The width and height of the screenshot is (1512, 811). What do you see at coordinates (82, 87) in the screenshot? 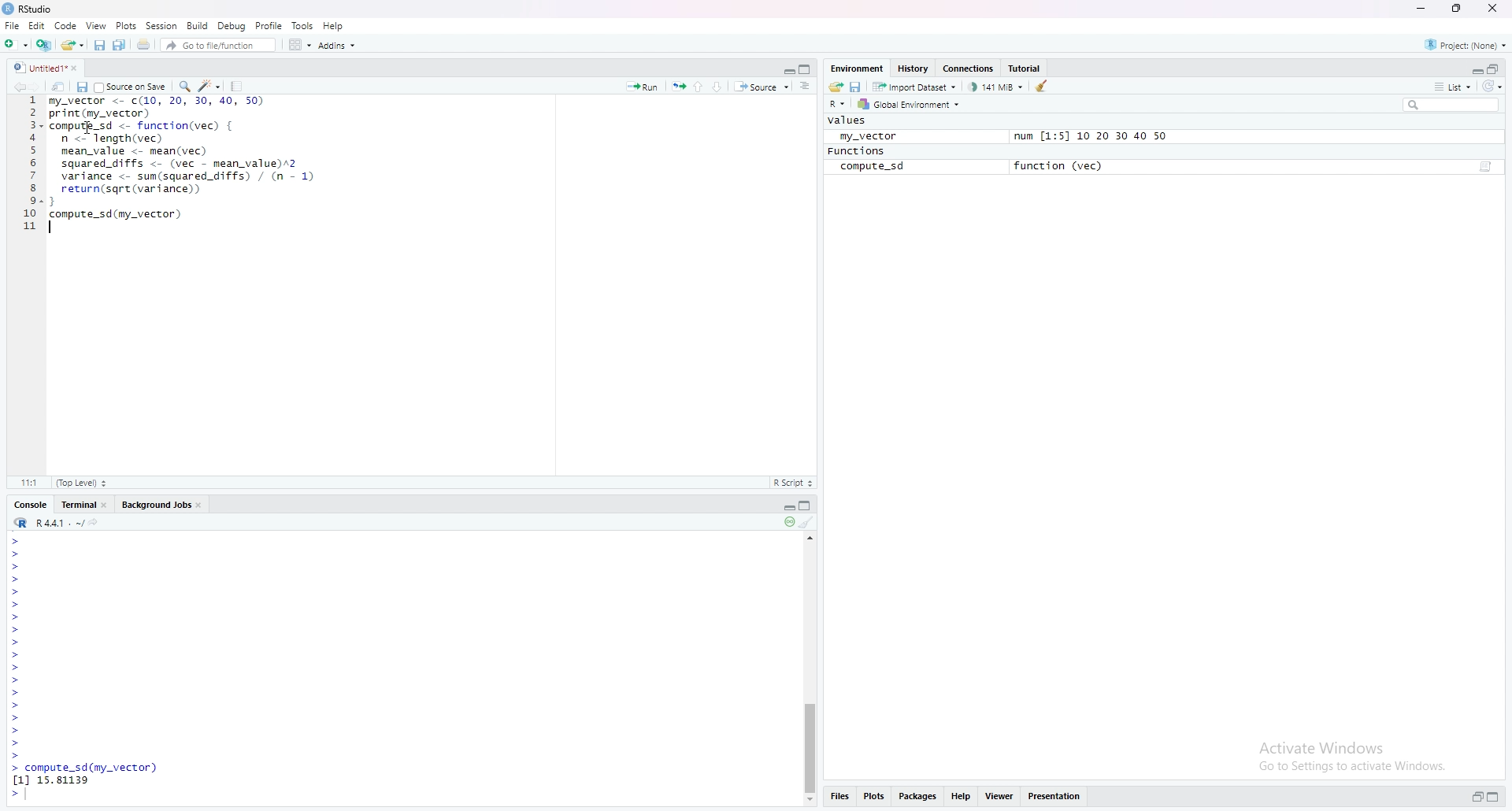
I see `Save current document (Ctrl + S)` at bounding box center [82, 87].